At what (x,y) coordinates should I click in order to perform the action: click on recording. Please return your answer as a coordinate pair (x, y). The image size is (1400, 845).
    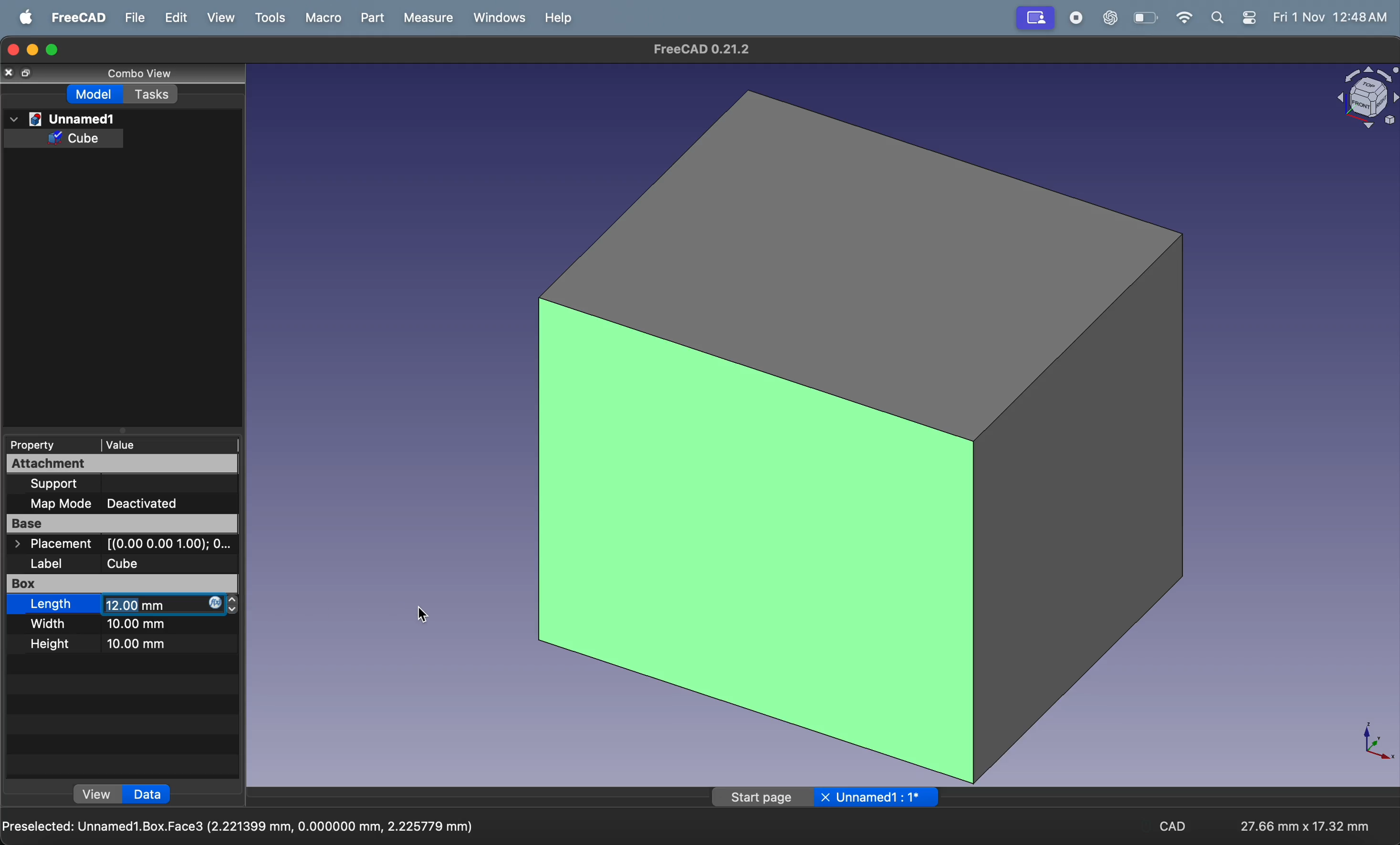
    Looking at the image, I should click on (1034, 18).